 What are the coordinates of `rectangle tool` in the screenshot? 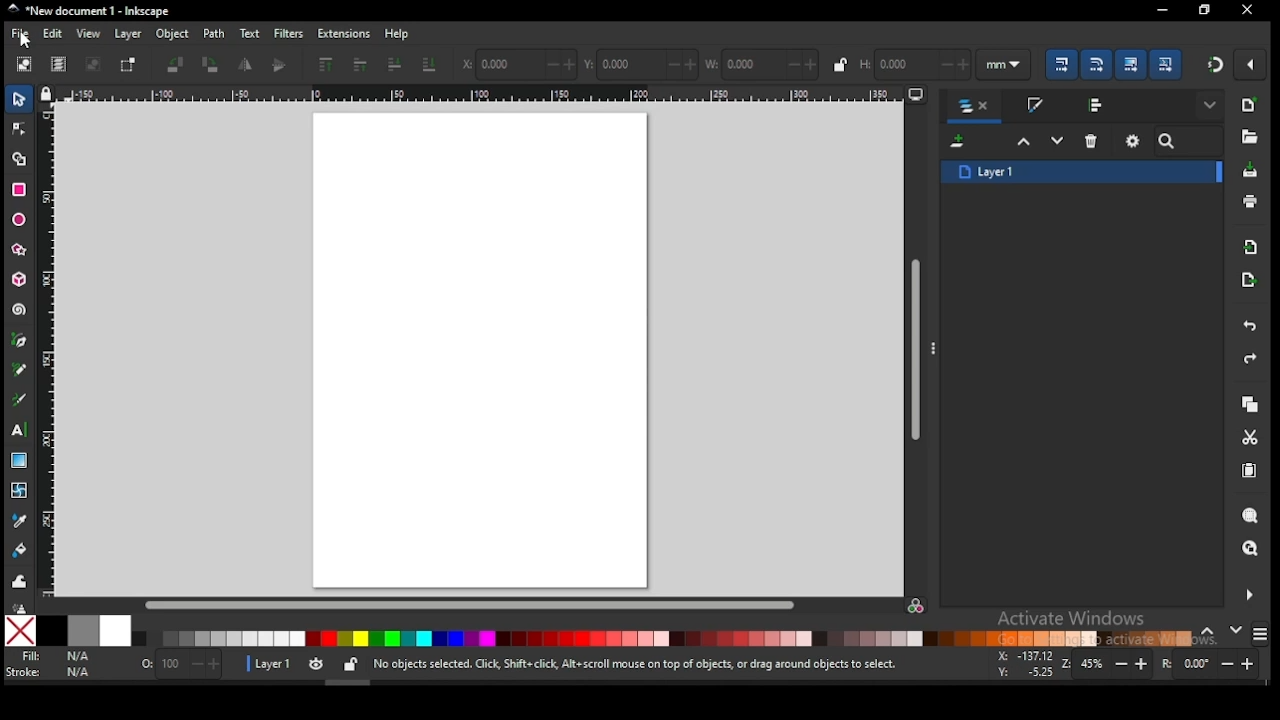 It's located at (19, 190).